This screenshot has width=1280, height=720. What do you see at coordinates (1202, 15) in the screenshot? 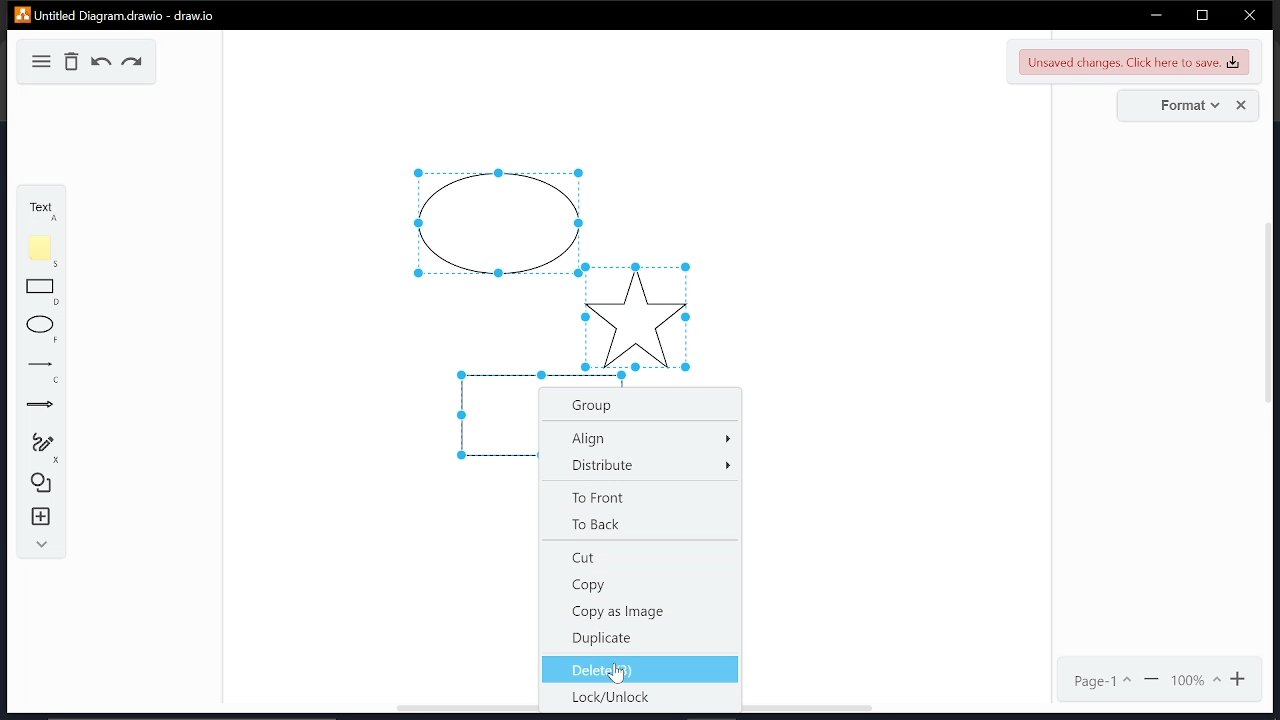
I see `restore down` at bounding box center [1202, 15].